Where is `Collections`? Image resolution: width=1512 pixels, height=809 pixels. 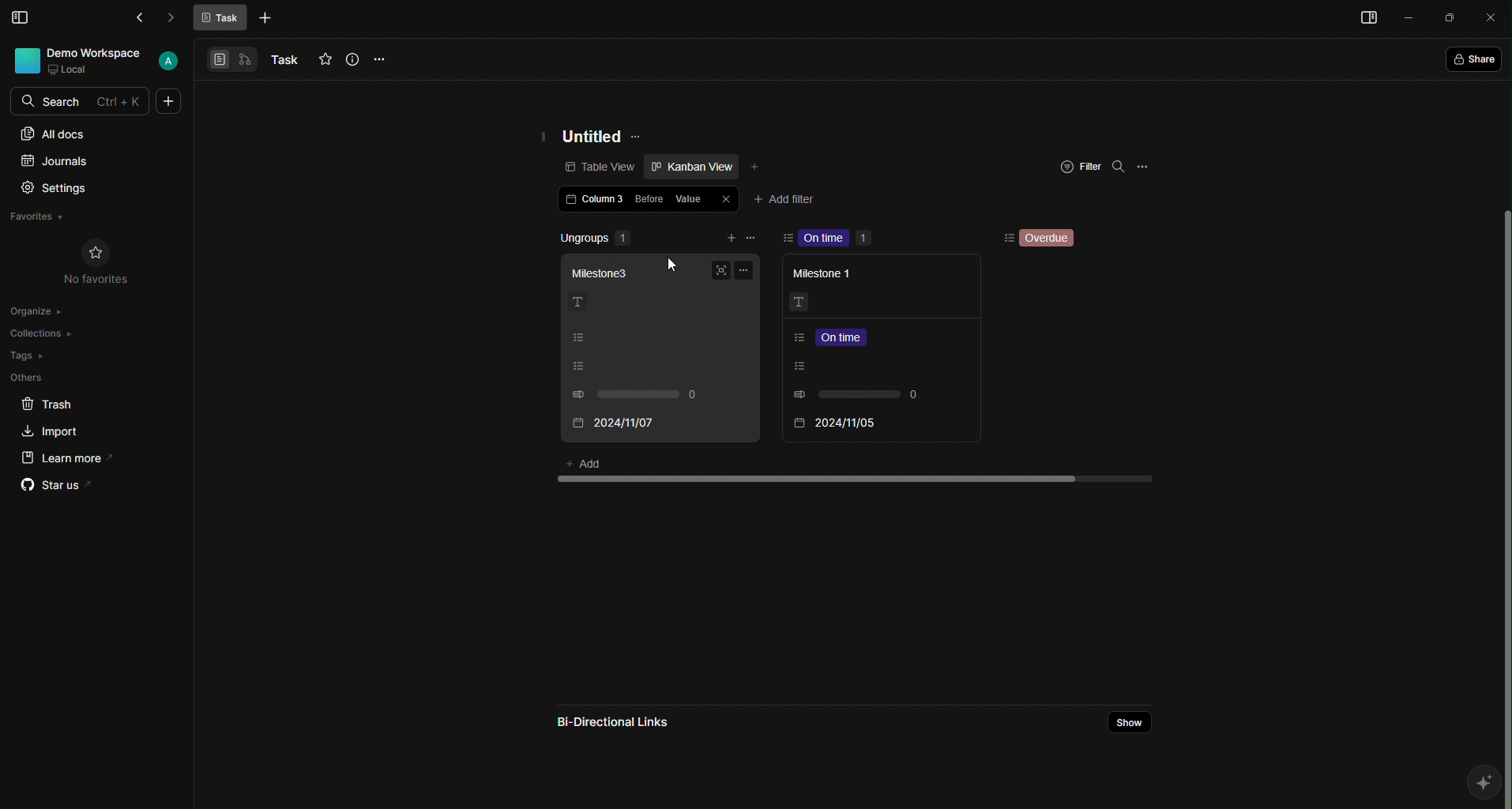
Collections is located at coordinates (44, 335).